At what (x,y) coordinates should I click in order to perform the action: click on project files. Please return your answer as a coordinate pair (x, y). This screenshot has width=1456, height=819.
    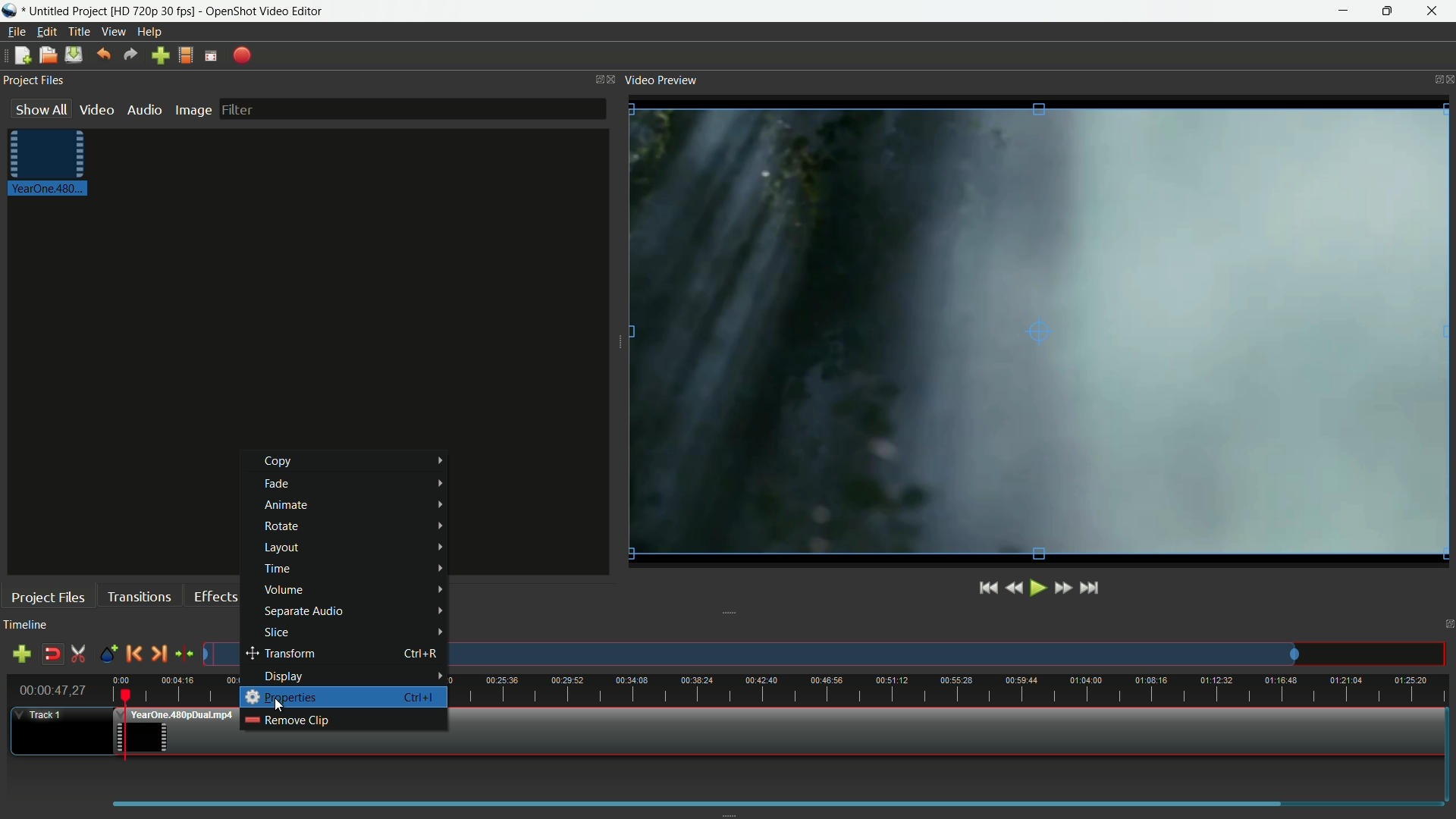
    Looking at the image, I should click on (33, 81).